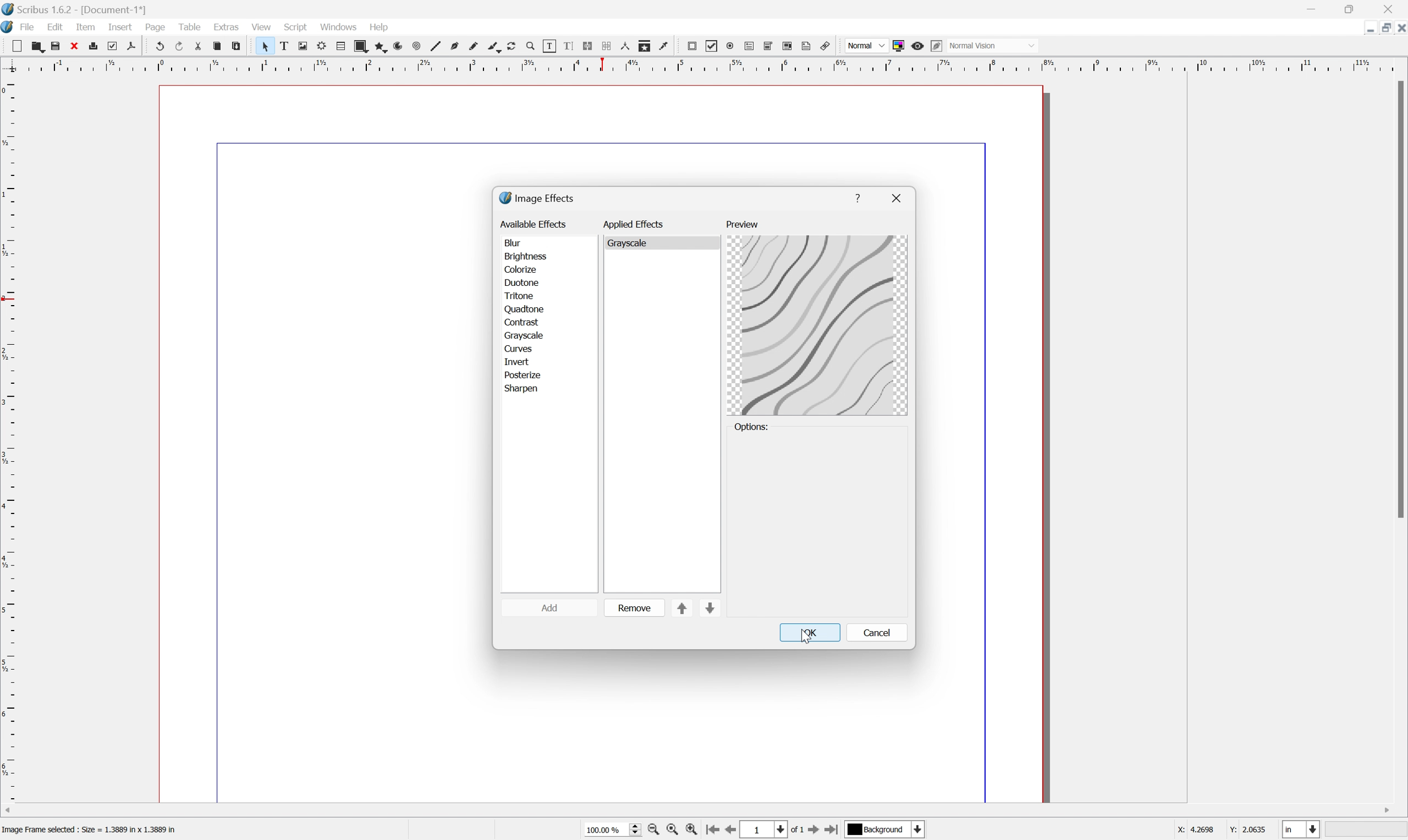 The height and width of the screenshot is (840, 1408). Describe the element at coordinates (525, 308) in the screenshot. I see `quadtone` at that location.